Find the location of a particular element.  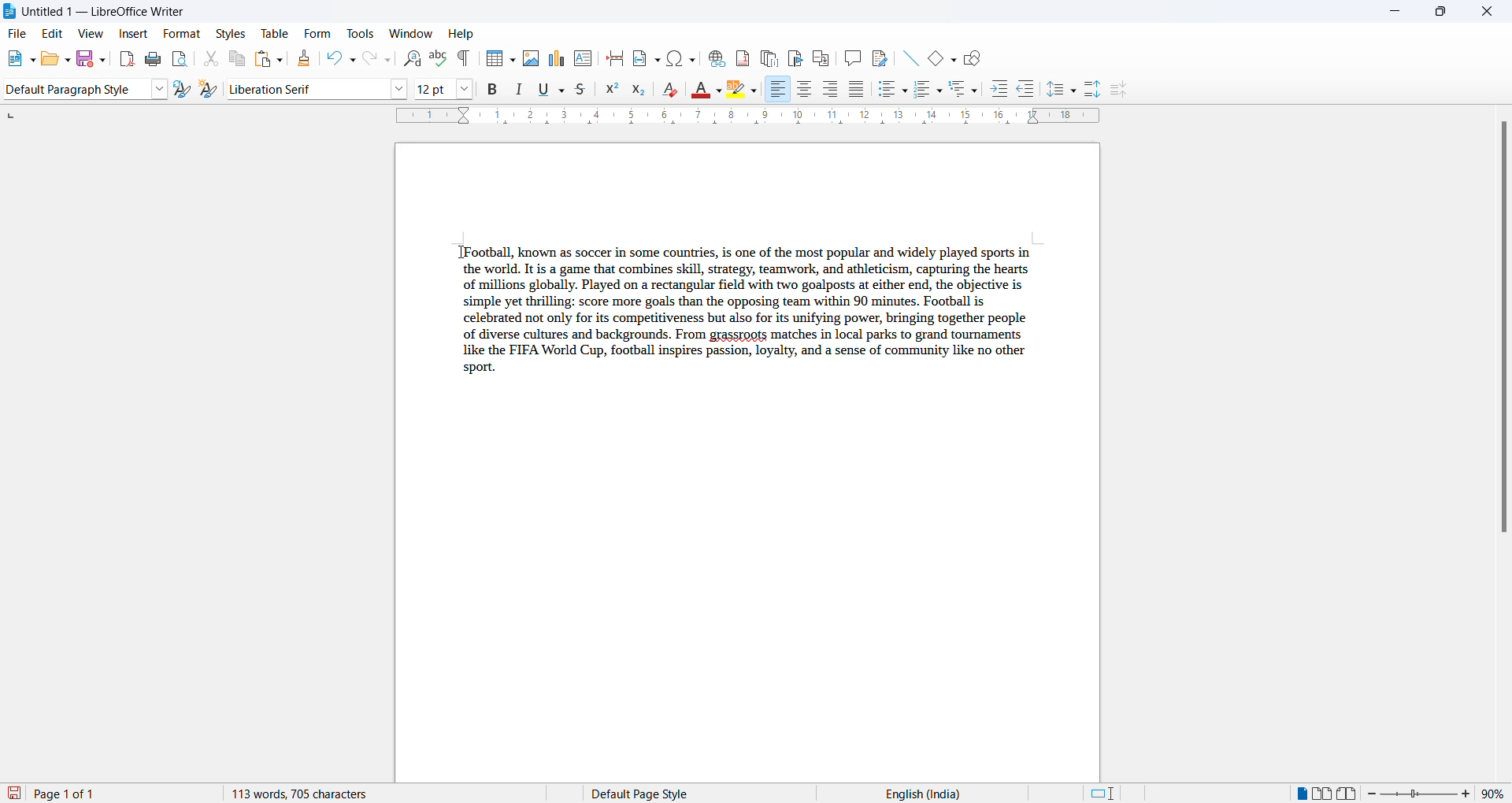

font color is located at coordinates (699, 89).